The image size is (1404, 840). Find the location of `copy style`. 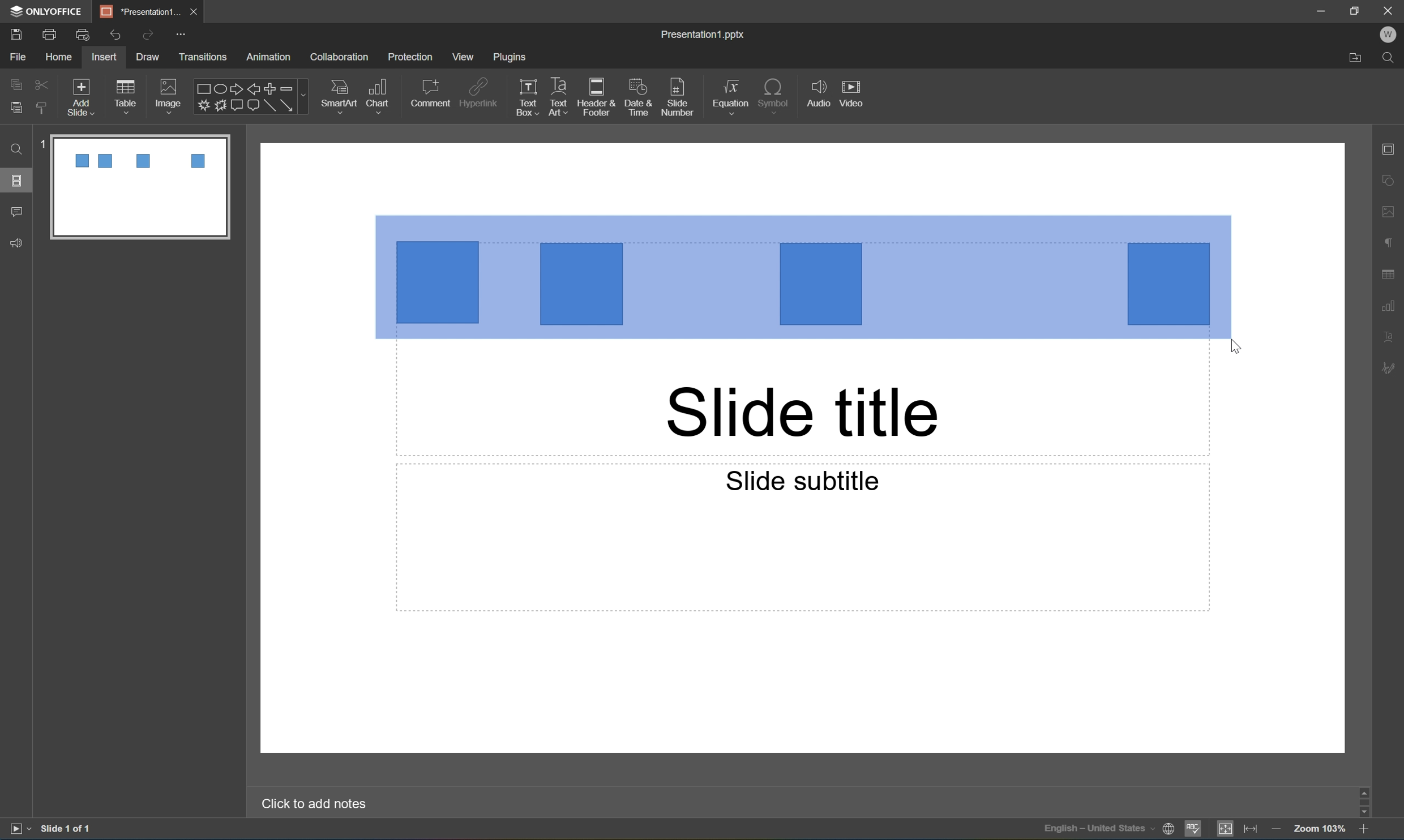

copy style is located at coordinates (42, 108).